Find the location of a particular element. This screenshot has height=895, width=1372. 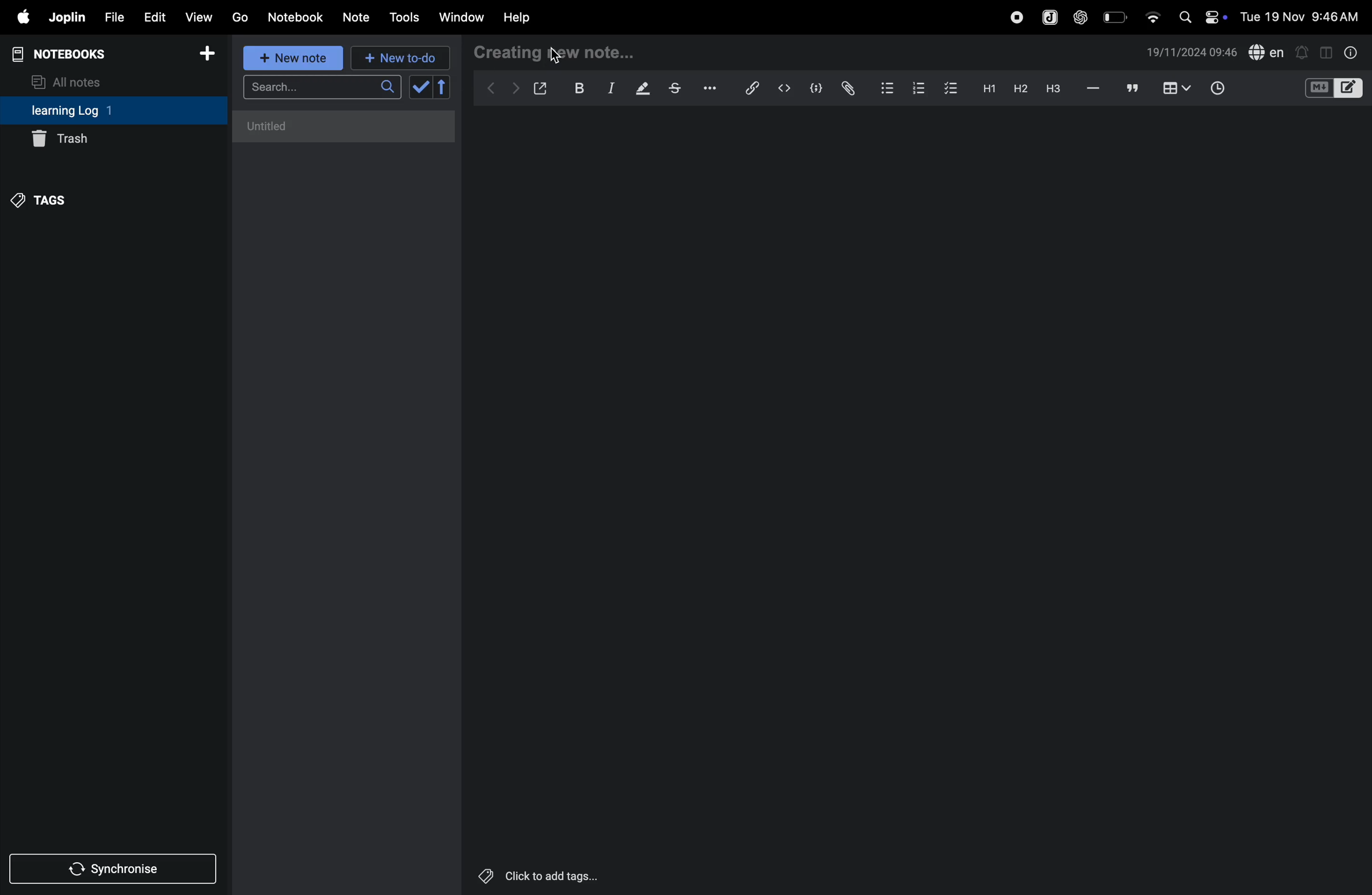

open is located at coordinates (541, 88).